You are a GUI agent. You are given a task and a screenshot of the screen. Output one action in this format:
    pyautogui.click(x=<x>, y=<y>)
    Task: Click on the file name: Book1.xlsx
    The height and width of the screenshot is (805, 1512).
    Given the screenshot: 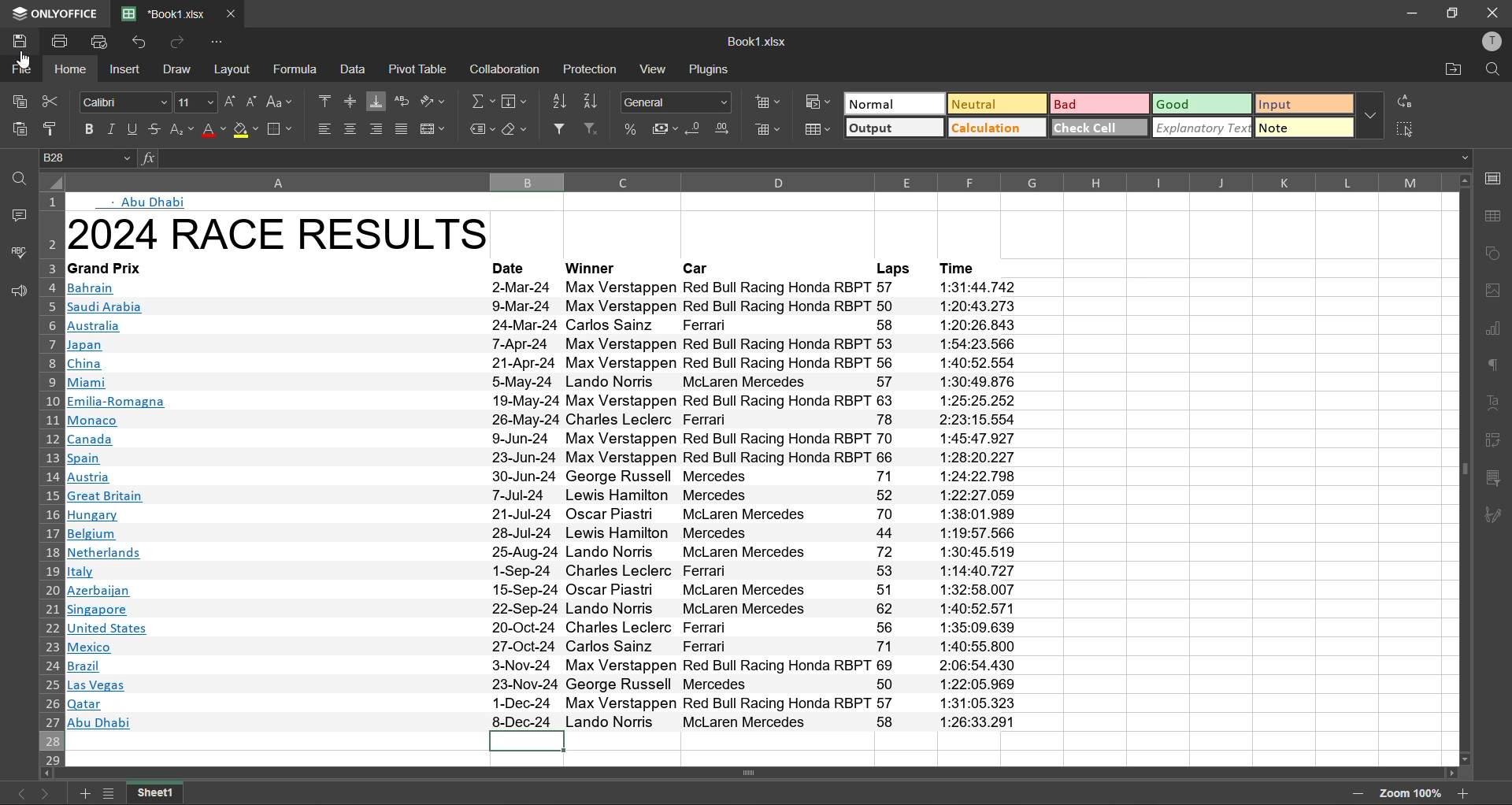 What is the action you would take?
    pyautogui.click(x=759, y=42)
    